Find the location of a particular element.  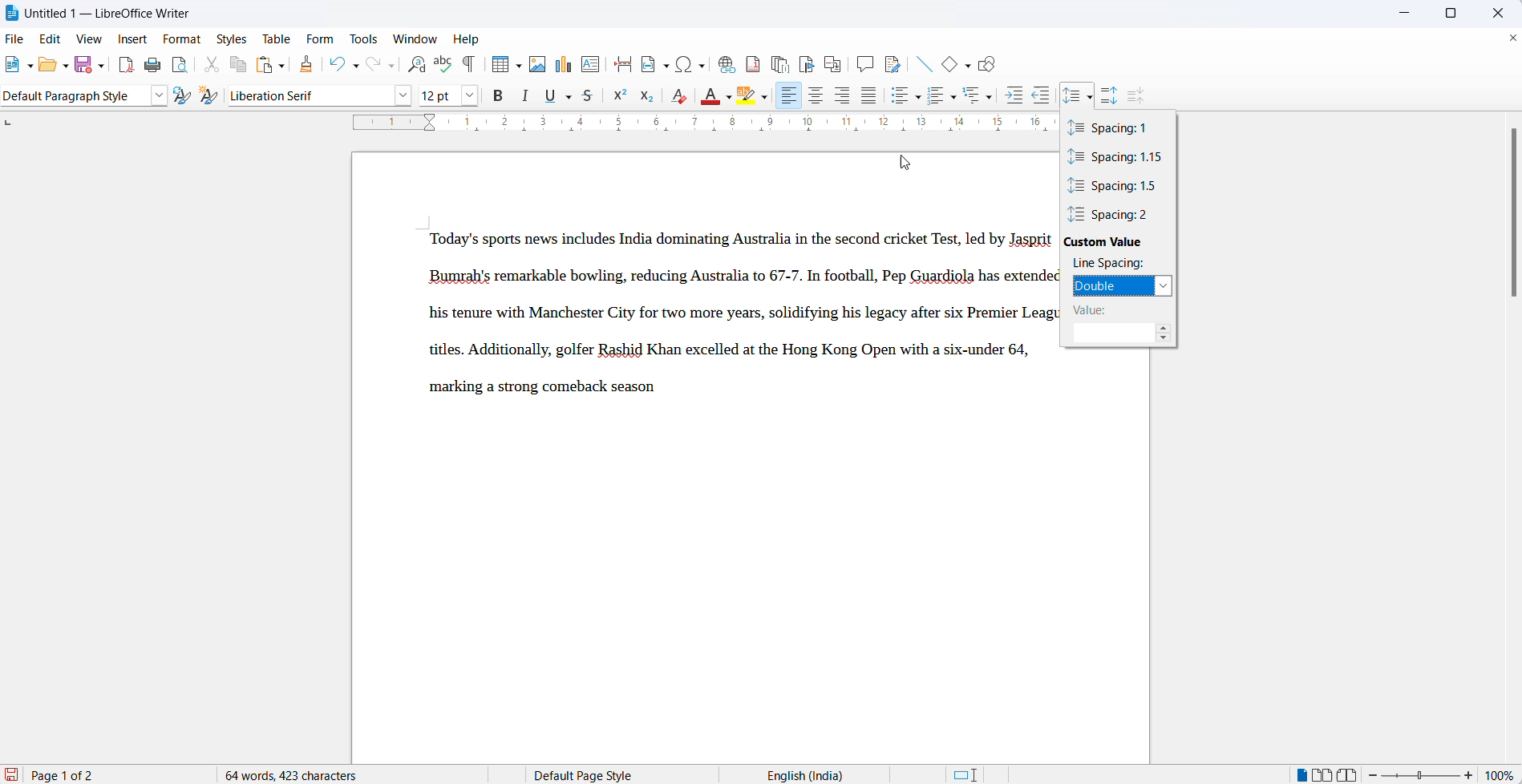

insert table is located at coordinates (497, 64).